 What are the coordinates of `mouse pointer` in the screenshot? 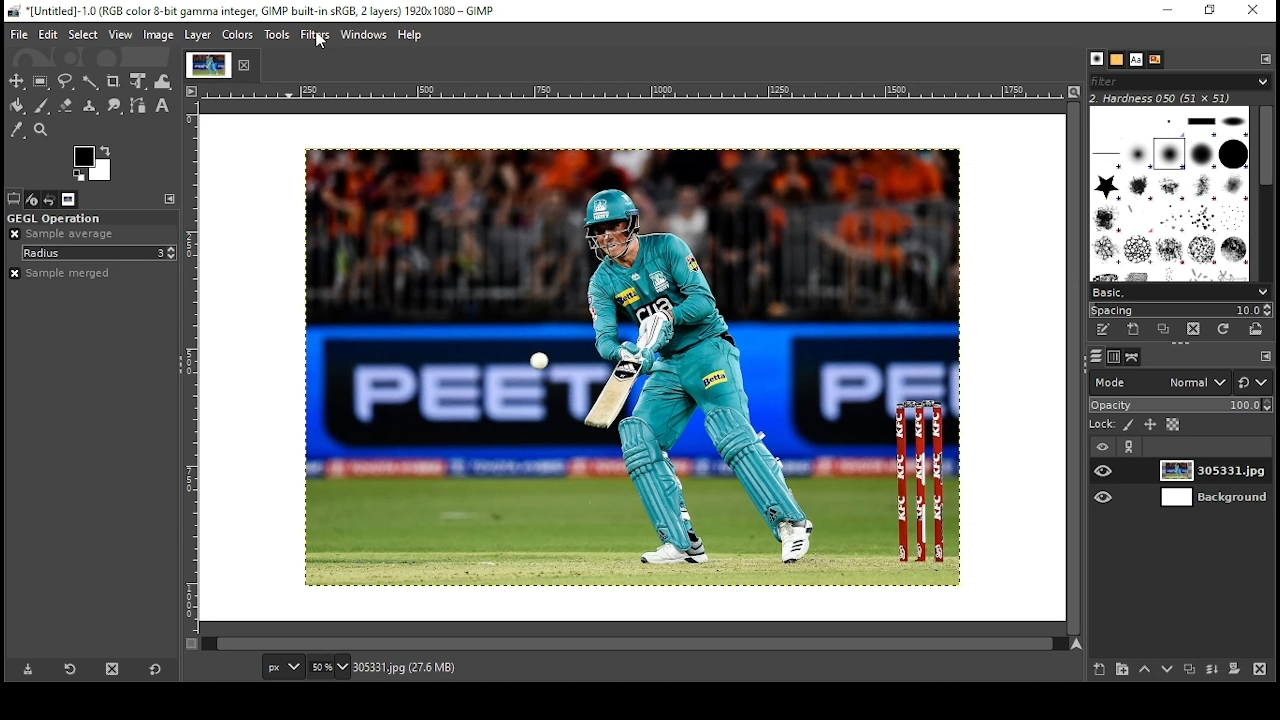 It's located at (315, 45).